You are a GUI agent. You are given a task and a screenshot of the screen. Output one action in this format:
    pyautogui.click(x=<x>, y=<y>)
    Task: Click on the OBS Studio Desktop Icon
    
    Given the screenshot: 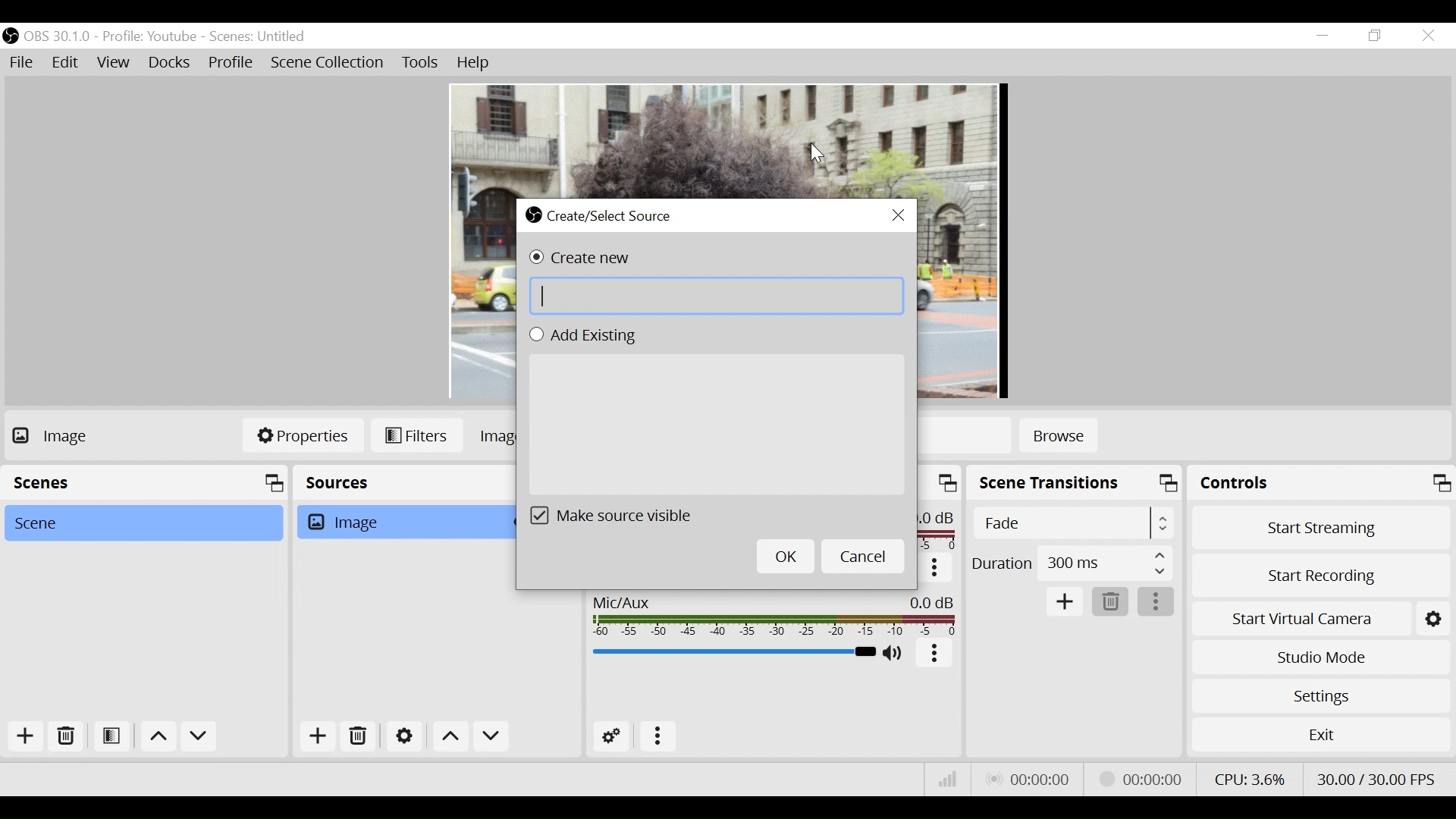 What is the action you would take?
    pyautogui.click(x=12, y=36)
    